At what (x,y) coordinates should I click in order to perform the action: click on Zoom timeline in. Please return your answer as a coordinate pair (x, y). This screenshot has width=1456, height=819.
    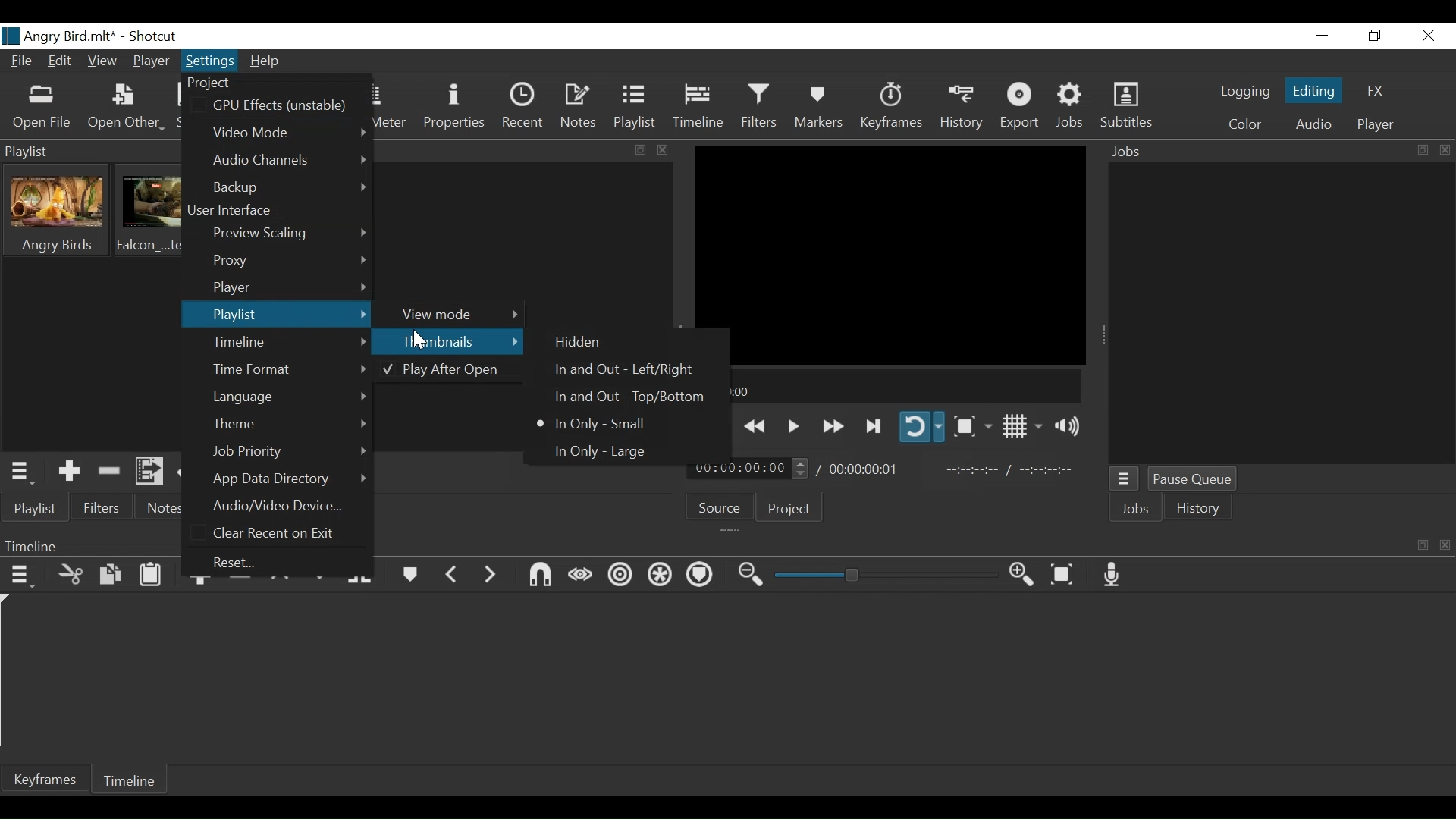
    Looking at the image, I should click on (1021, 576).